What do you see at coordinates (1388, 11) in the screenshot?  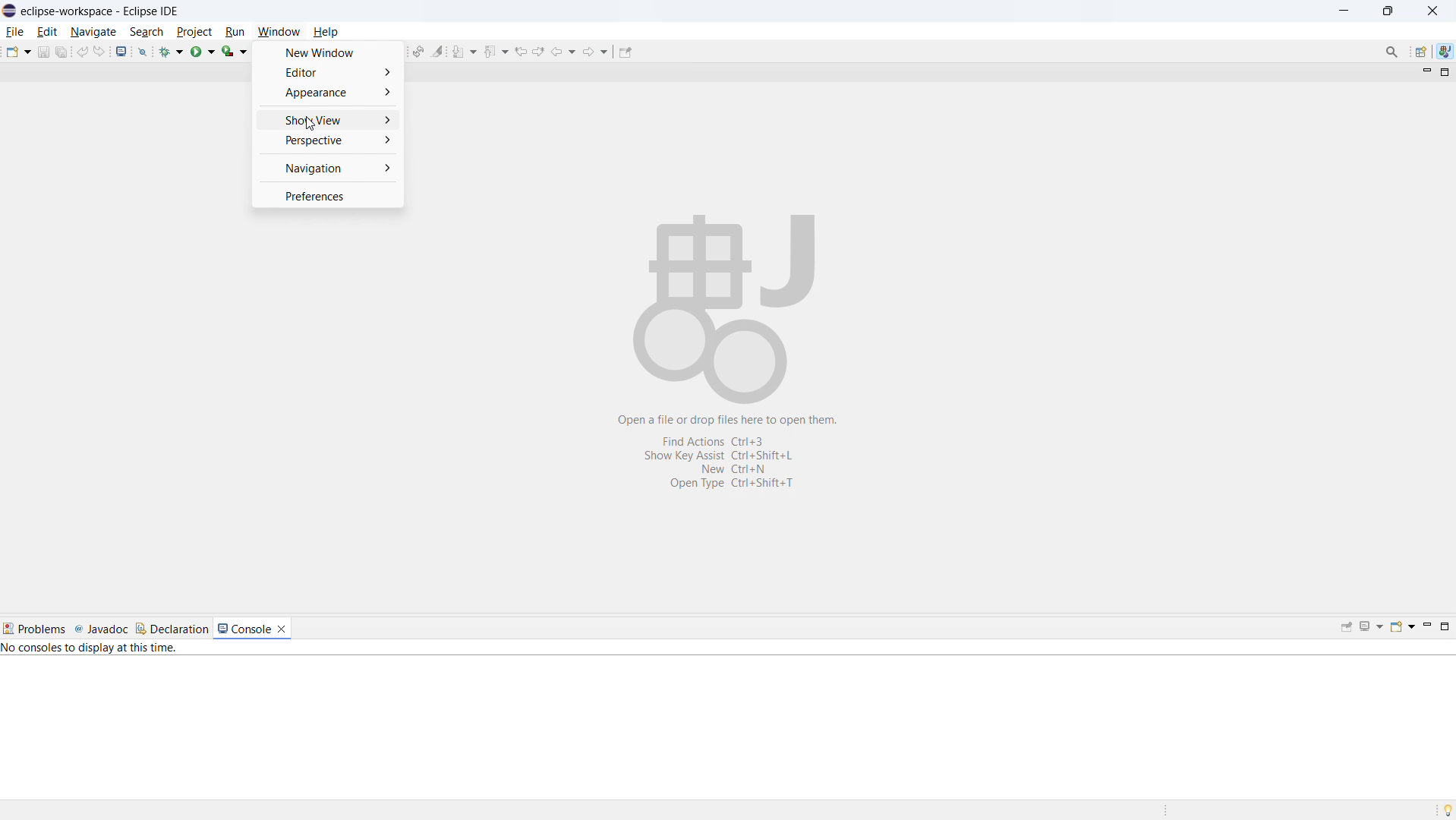 I see `maximize` at bounding box center [1388, 11].